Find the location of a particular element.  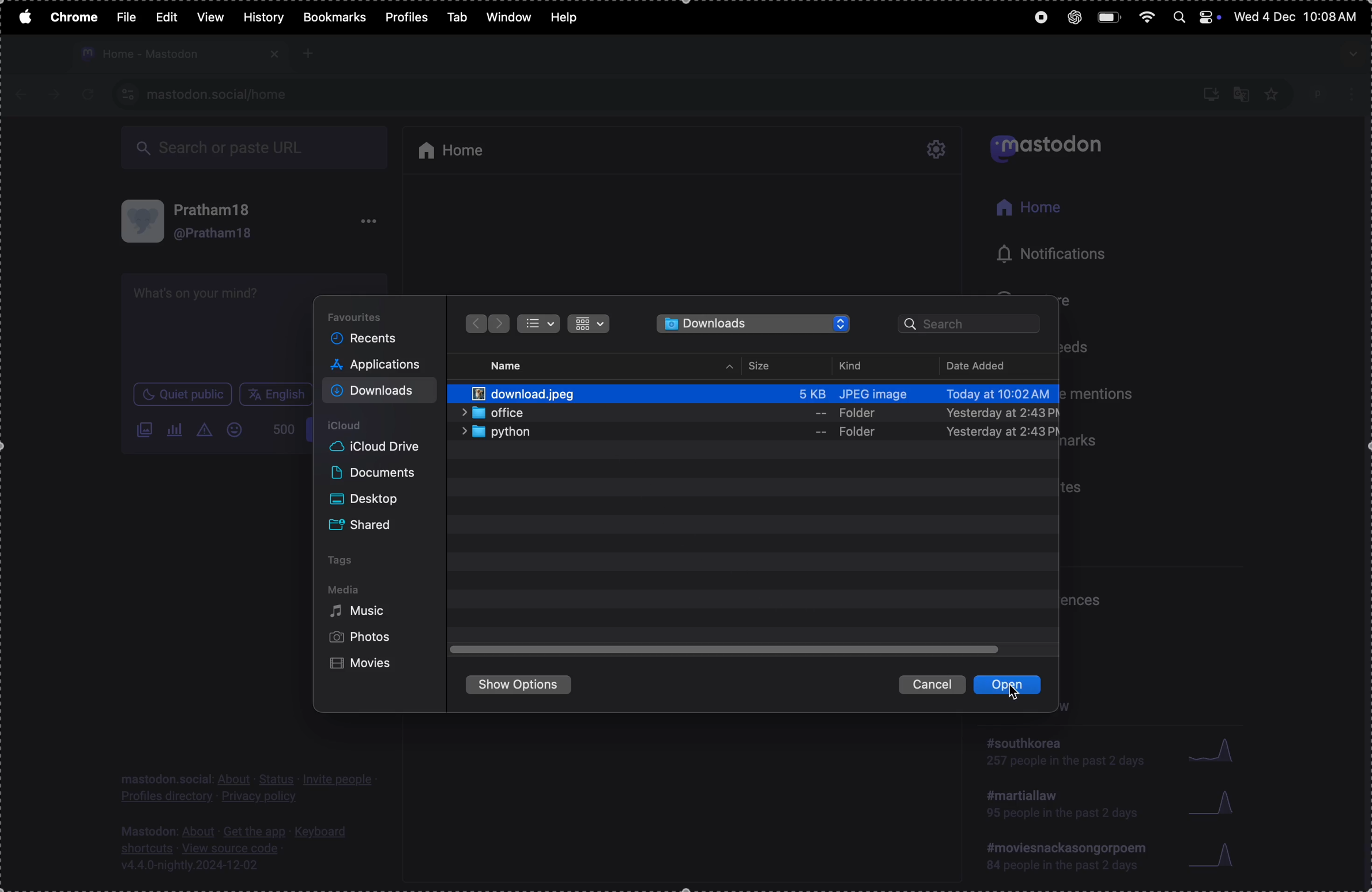

apple widgets is located at coordinates (1195, 16).